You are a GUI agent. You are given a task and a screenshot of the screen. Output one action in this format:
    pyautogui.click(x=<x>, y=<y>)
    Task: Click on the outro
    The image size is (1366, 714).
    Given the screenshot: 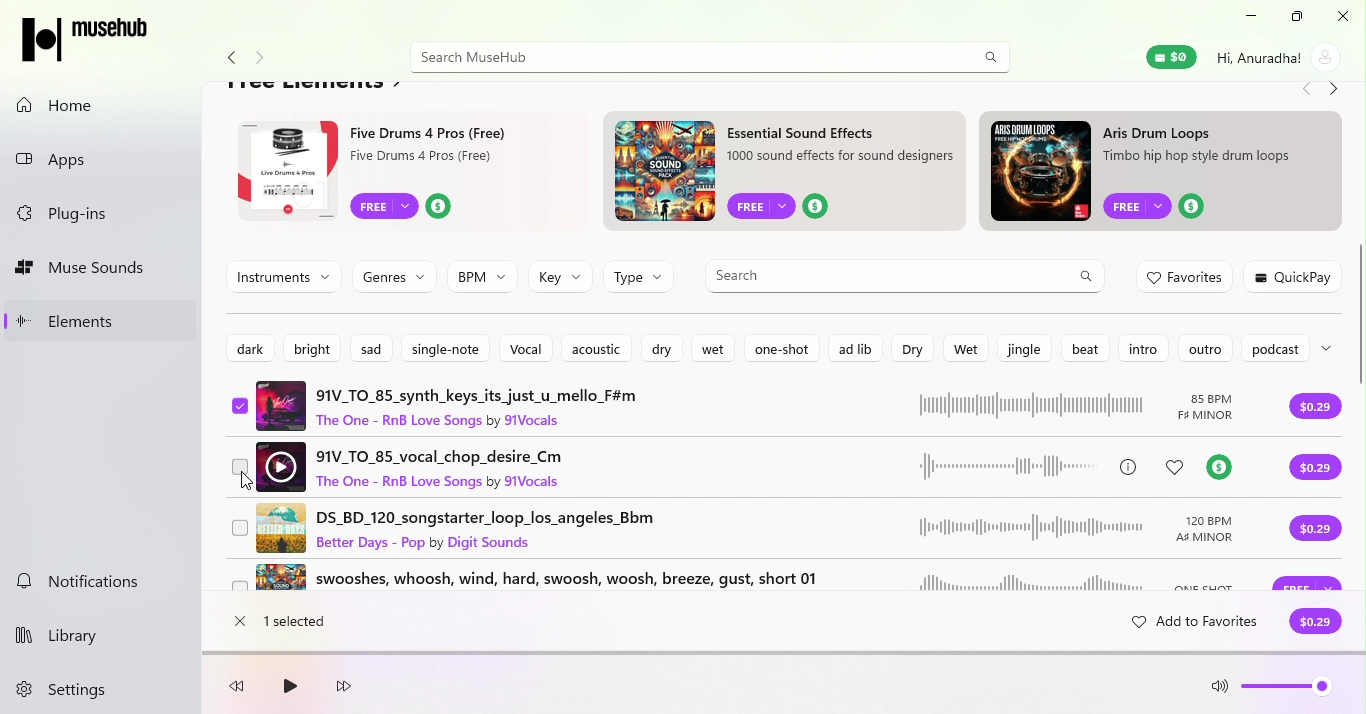 What is the action you would take?
    pyautogui.click(x=1204, y=348)
    